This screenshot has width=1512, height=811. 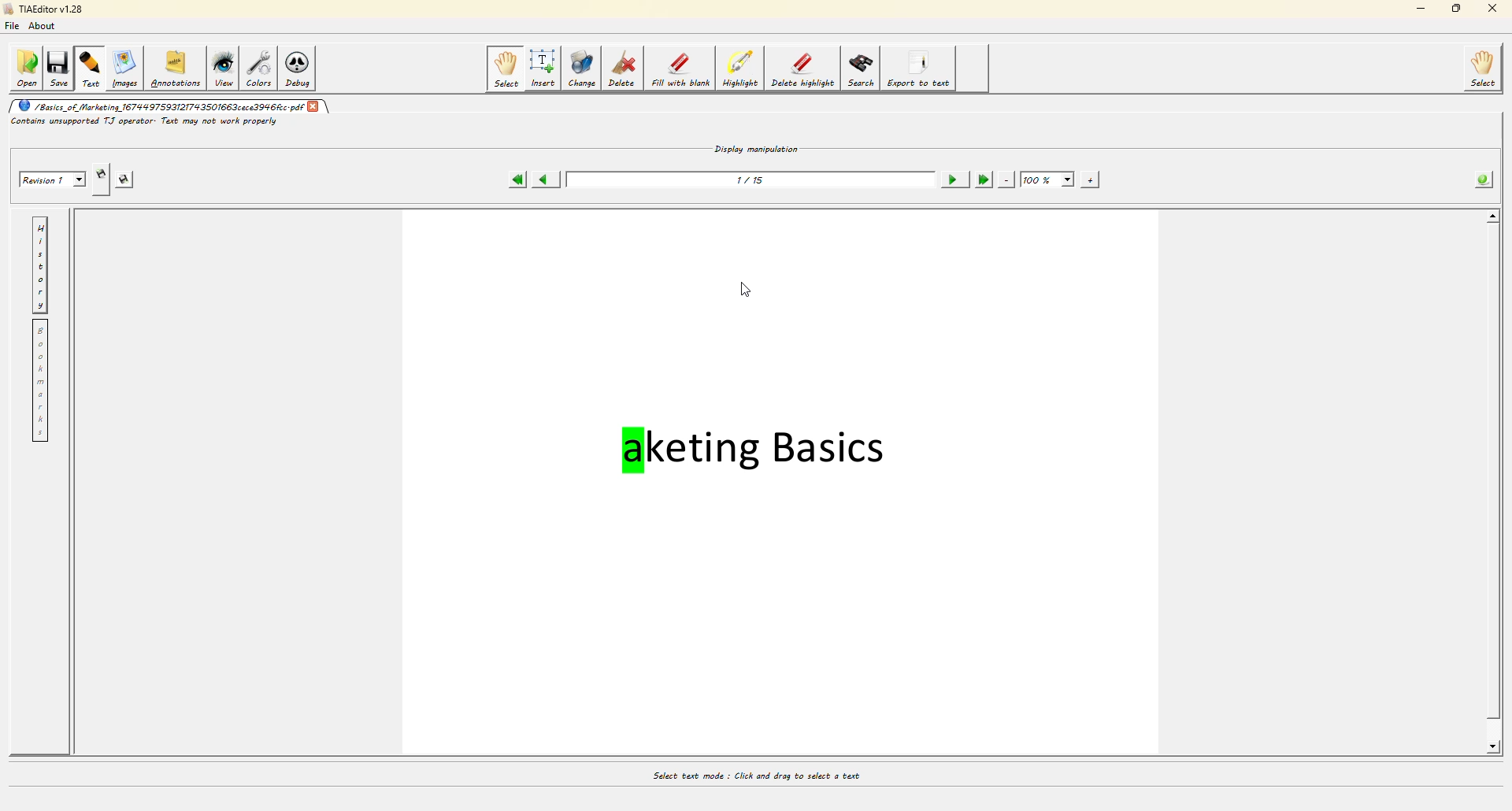 I want to click on delete highlight, so click(x=804, y=70).